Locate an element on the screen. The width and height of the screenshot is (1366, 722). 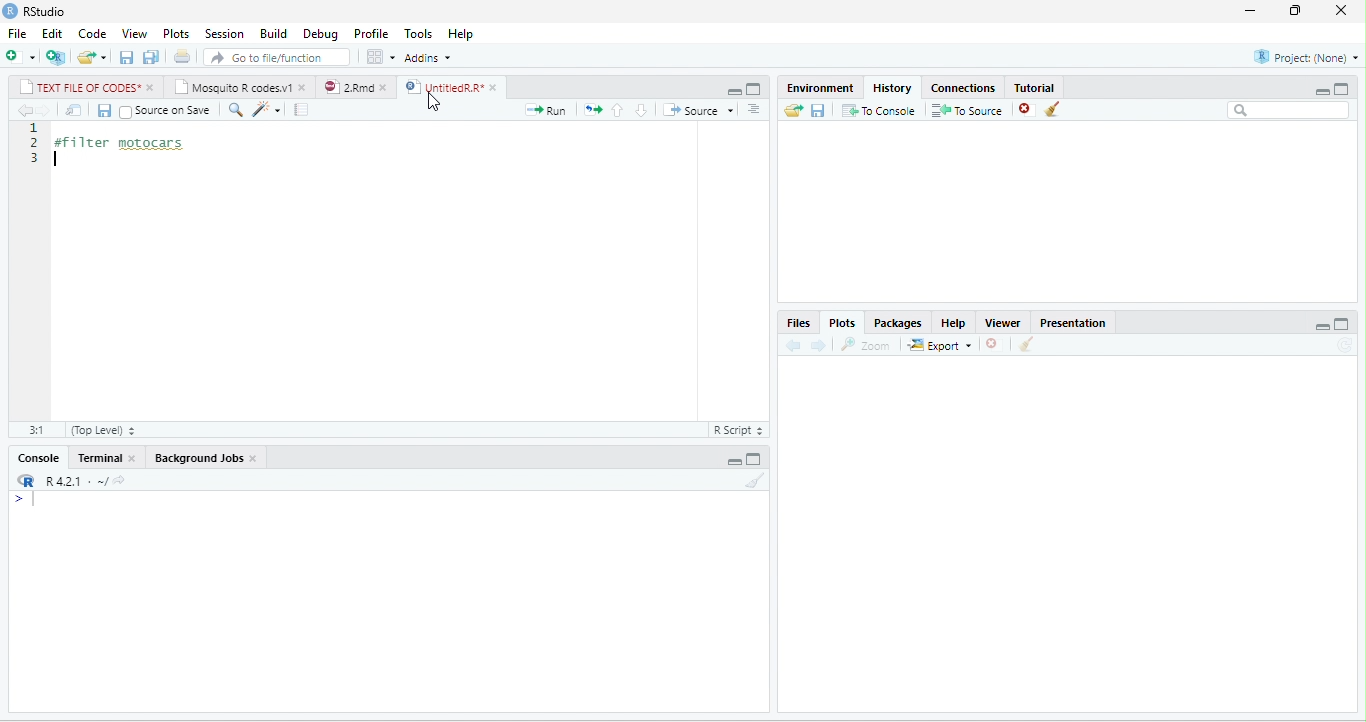
options is located at coordinates (380, 56).